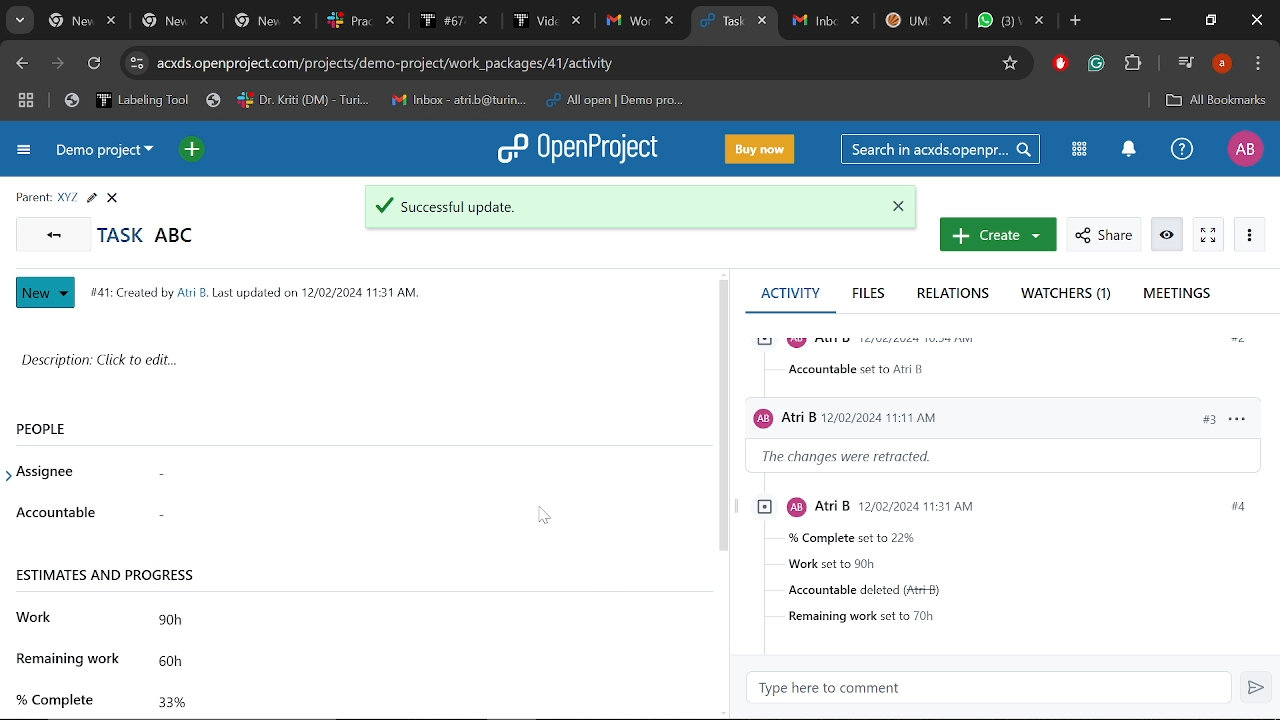  What do you see at coordinates (1061, 64) in the screenshot?
I see `Addblock` at bounding box center [1061, 64].